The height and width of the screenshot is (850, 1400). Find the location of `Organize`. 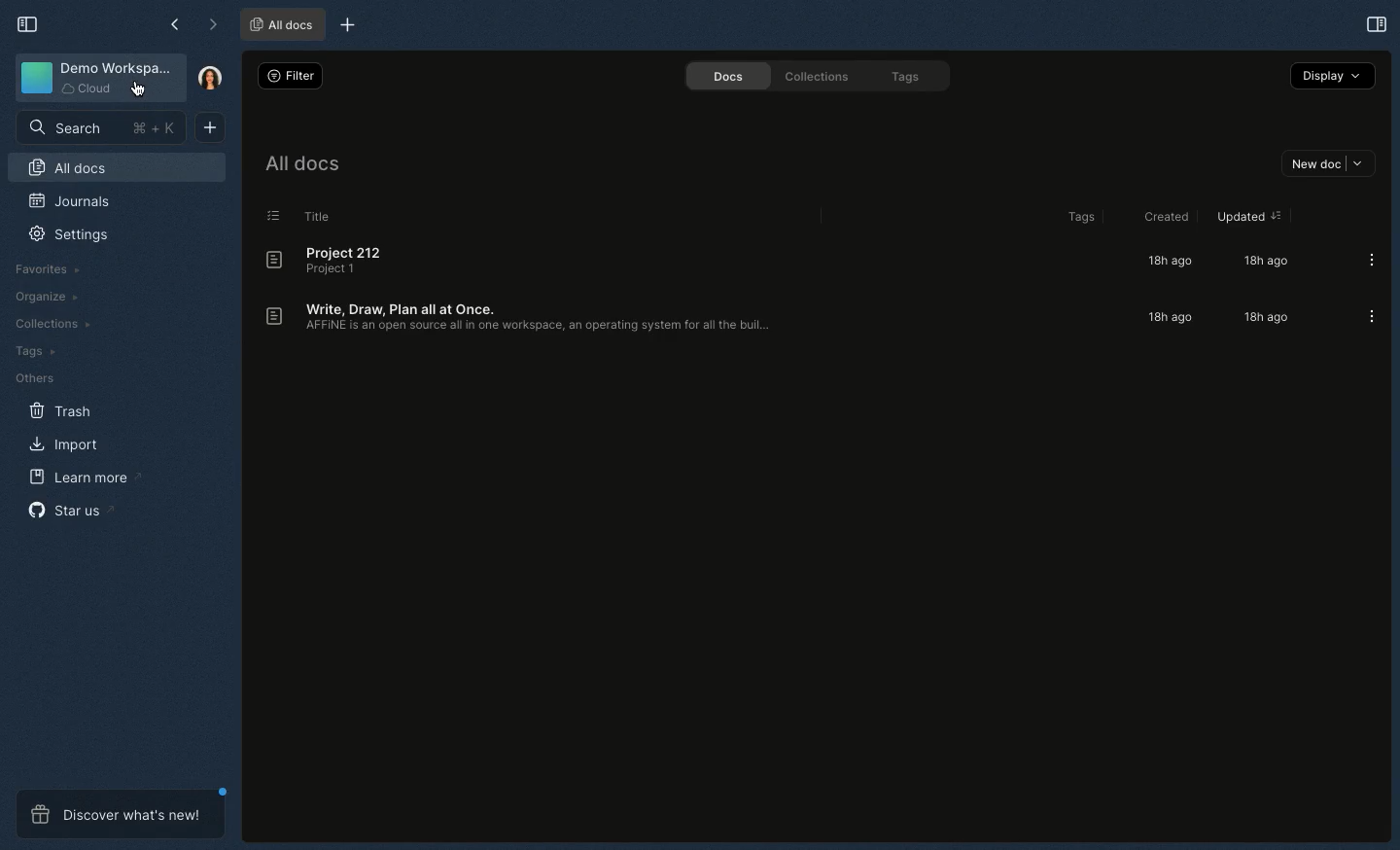

Organize is located at coordinates (43, 297).